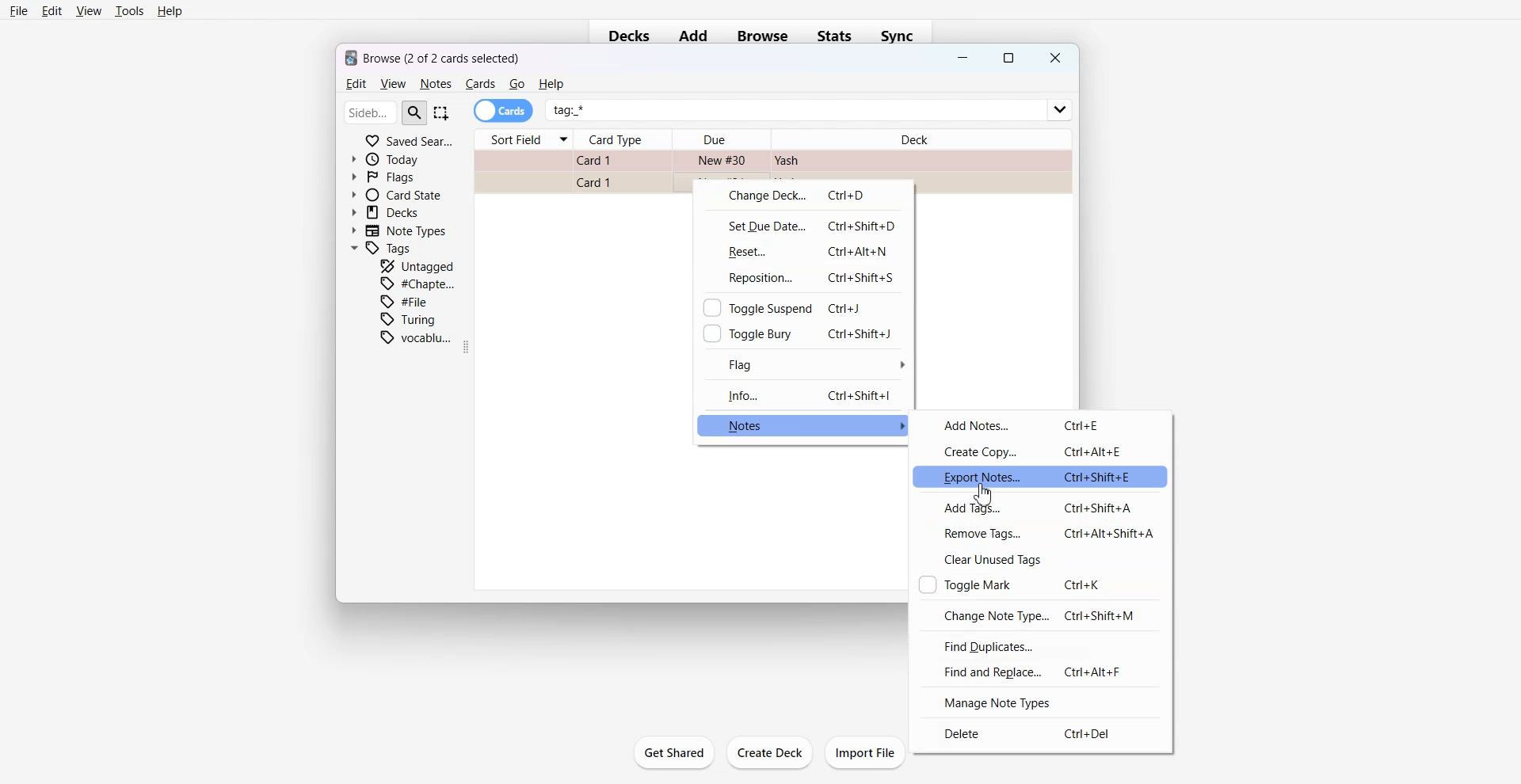 This screenshot has height=784, width=1521. What do you see at coordinates (803, 363) in the screenshot?
I see `Flag` at bounding box center [803, 363].